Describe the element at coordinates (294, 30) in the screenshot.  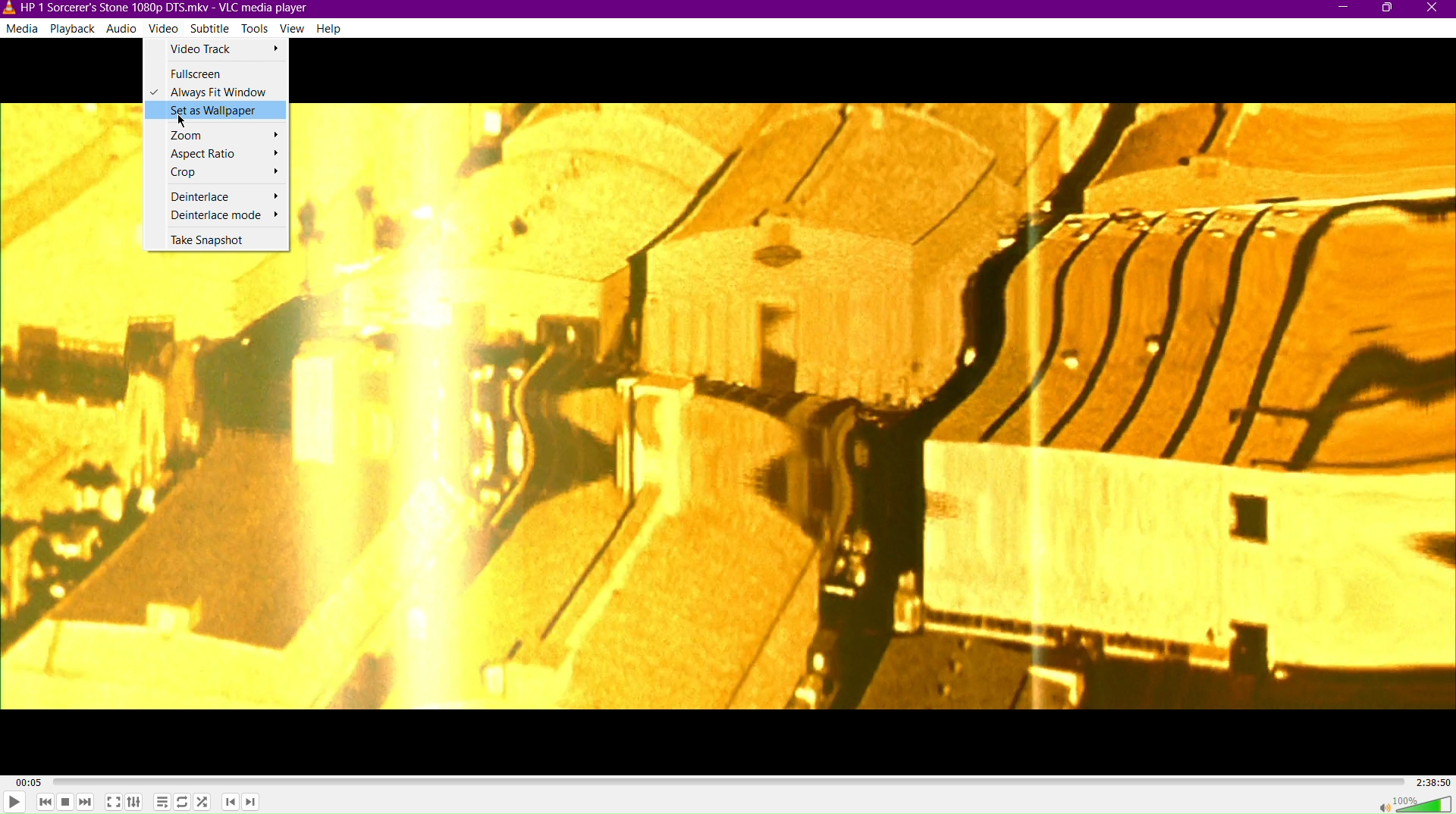
I see `View` at that location.